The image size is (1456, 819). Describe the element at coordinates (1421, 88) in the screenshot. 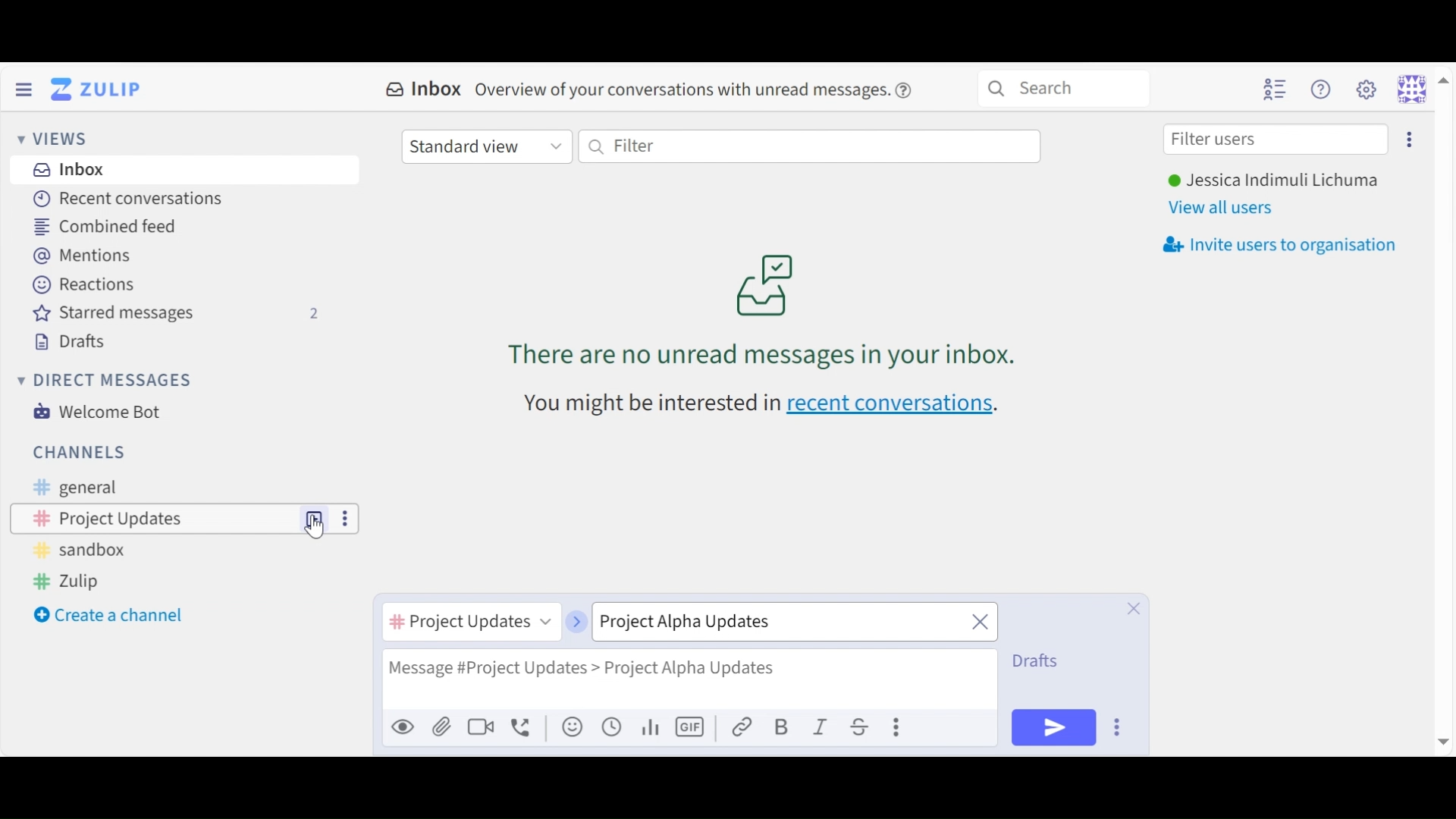

I see `Personal menu` at that location.